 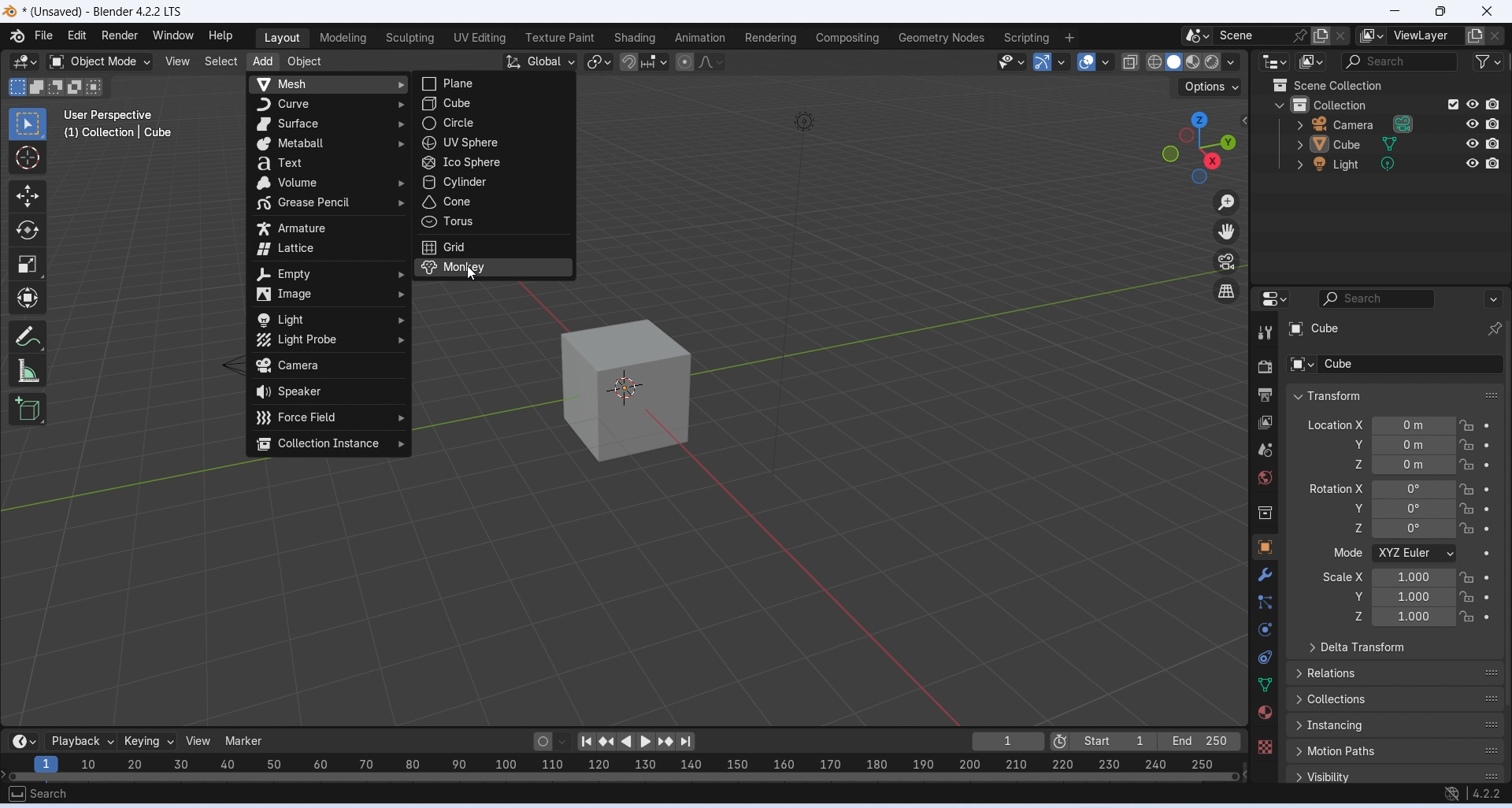 What do you see at coordinates (495, 84) in the screenshot?
I see `plane` at bounding box center [495, 84].